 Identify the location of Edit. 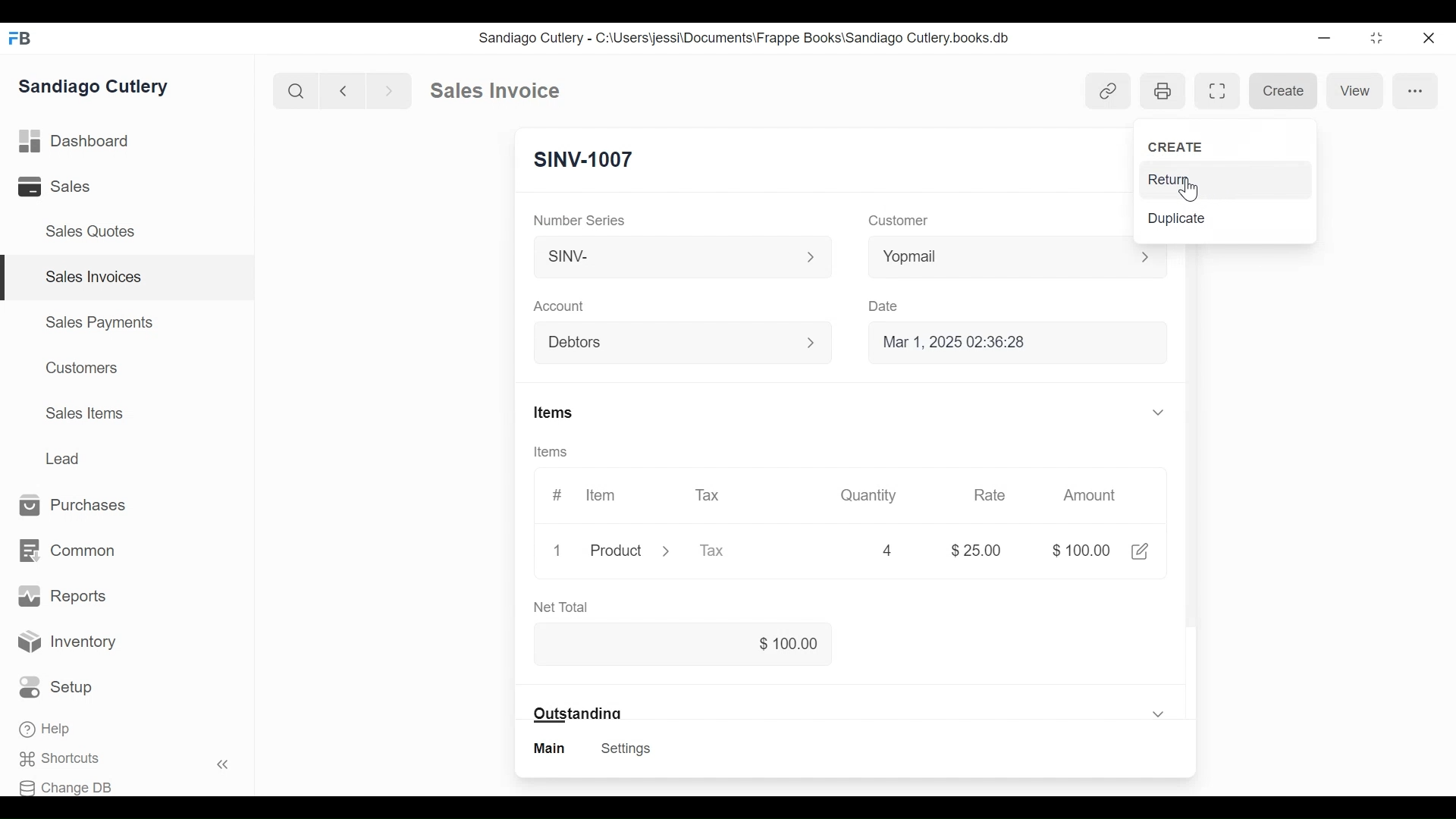
(1141, 551).